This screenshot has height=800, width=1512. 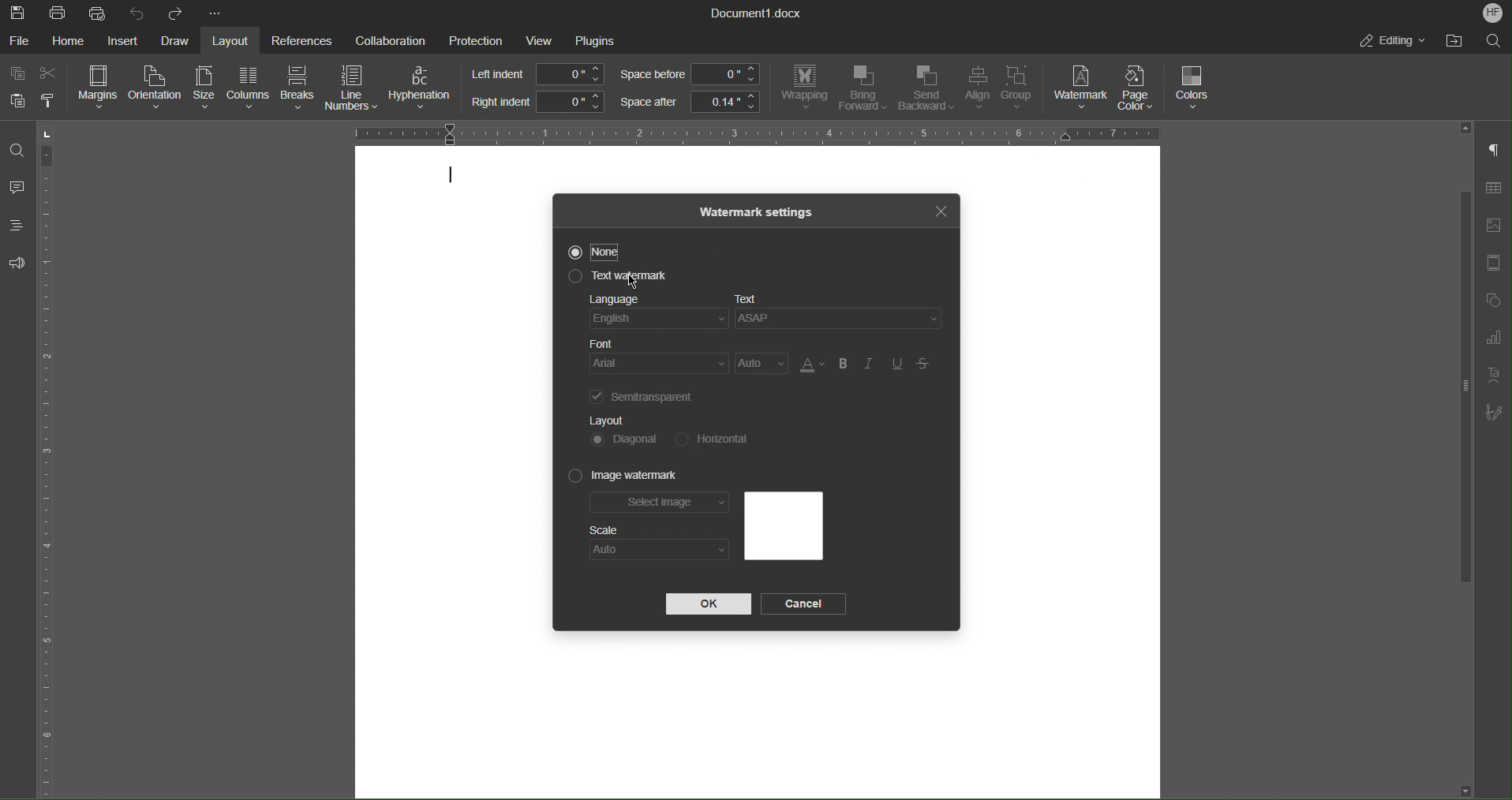 What do you see at coordinates (353, 90) in the screenshot?
I see `Line Numbers` at bounding box center [353, 90].